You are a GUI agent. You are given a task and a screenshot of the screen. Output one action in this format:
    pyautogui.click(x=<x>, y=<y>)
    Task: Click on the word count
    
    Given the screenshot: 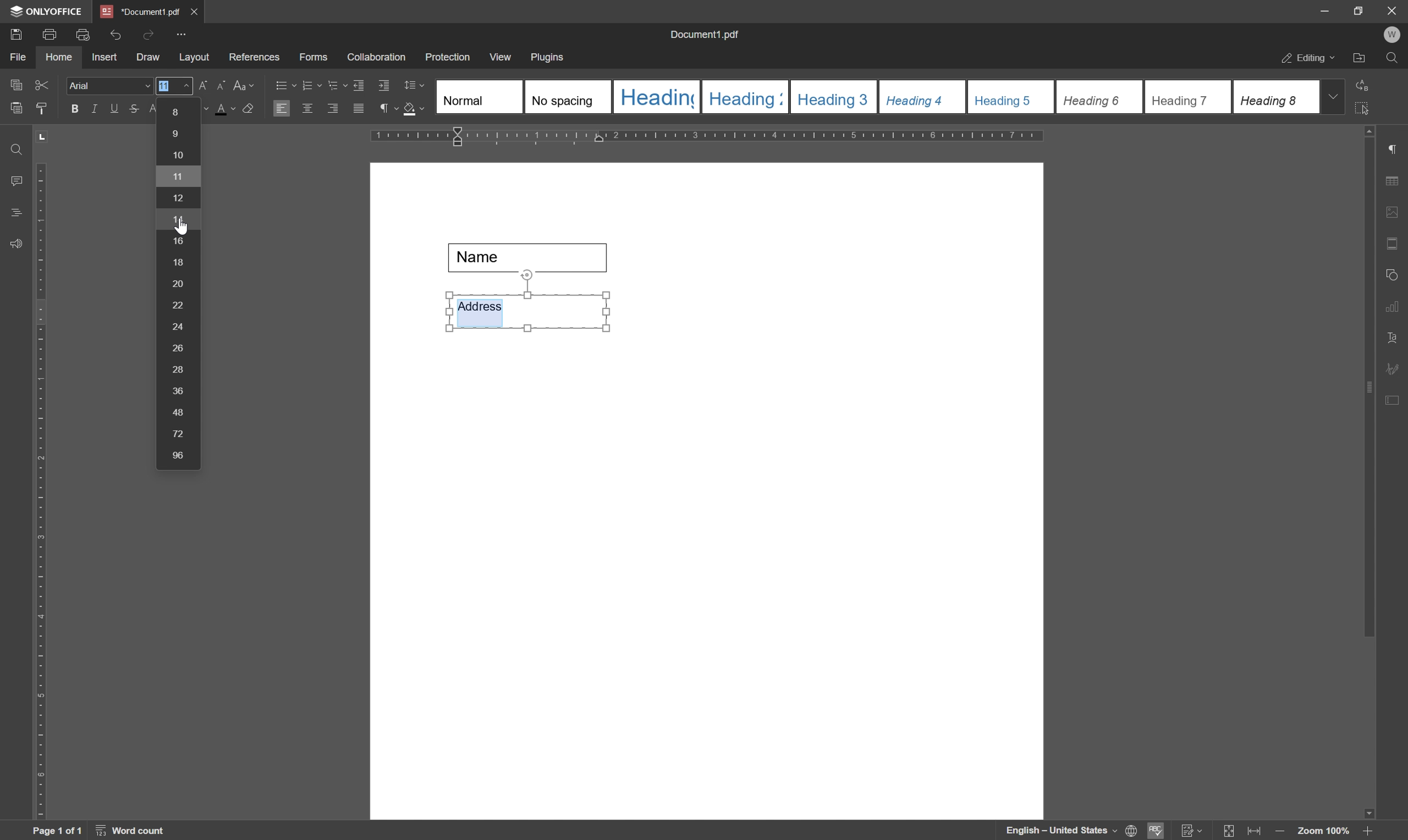 What is the action you would take?
    pyautogui.click(x=134, y=831)
    